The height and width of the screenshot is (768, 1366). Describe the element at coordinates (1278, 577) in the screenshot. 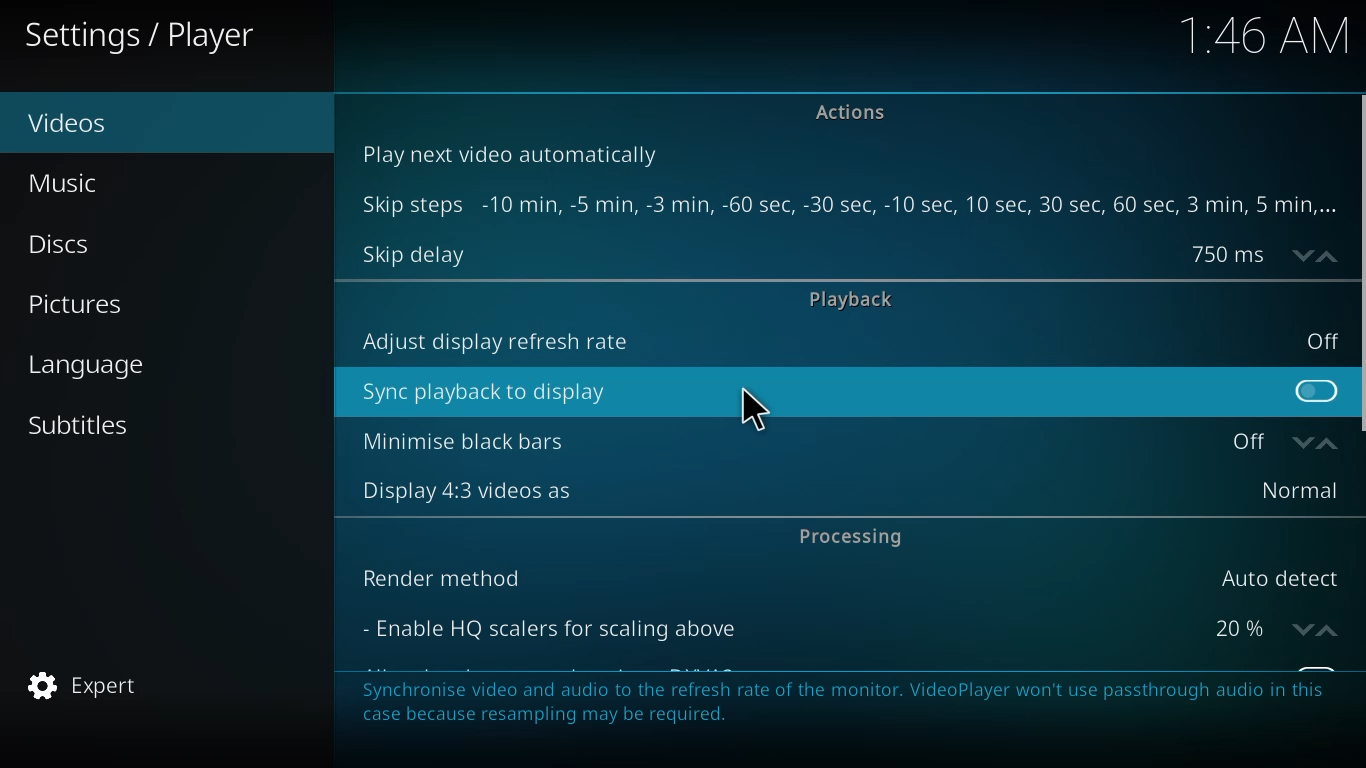

I see `auto detect` at that location.